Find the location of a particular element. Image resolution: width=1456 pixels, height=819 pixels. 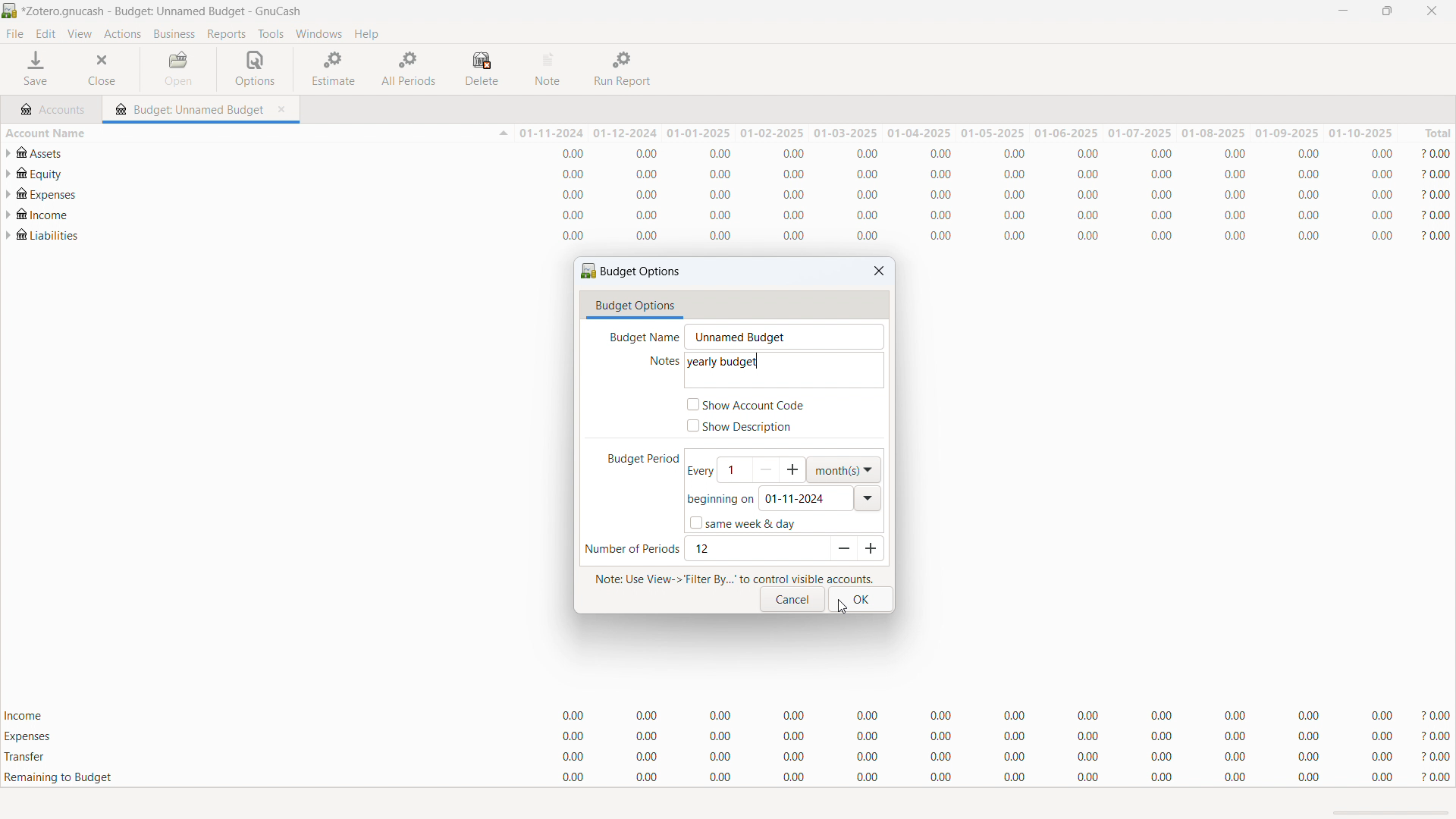

delete is located at coordinates (485, 69).